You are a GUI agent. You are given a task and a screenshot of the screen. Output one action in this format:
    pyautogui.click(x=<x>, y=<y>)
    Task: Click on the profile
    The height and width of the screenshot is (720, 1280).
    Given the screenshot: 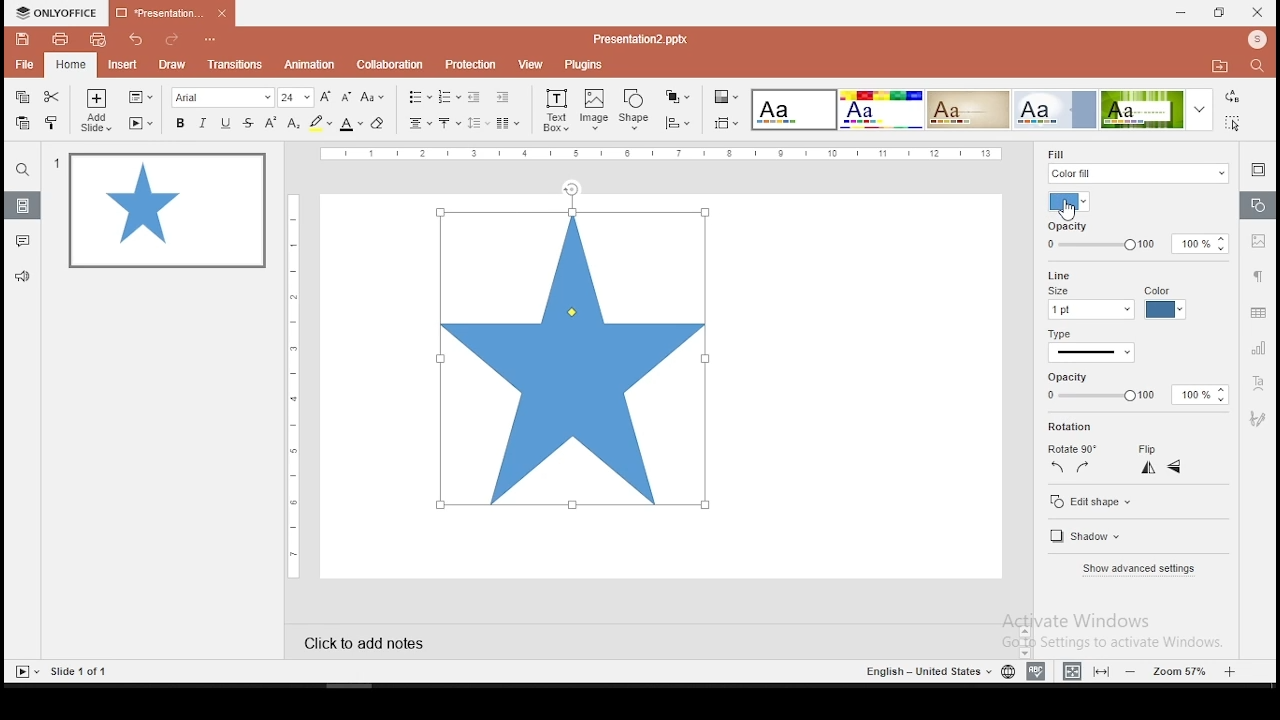 What is the action you would take?
    pyautogui.click(x=1255, y=41)
    